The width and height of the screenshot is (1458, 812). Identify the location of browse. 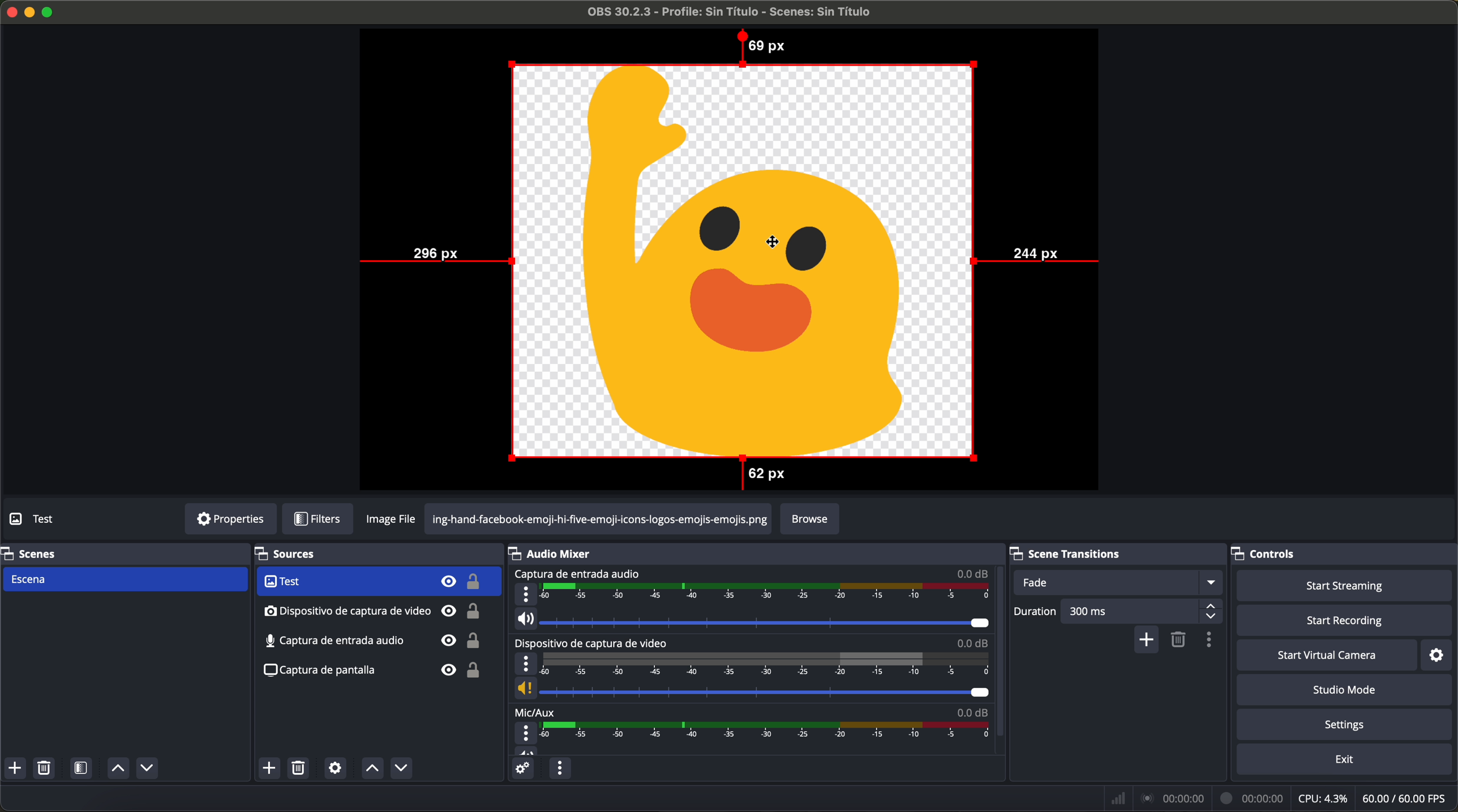
(810, 519).